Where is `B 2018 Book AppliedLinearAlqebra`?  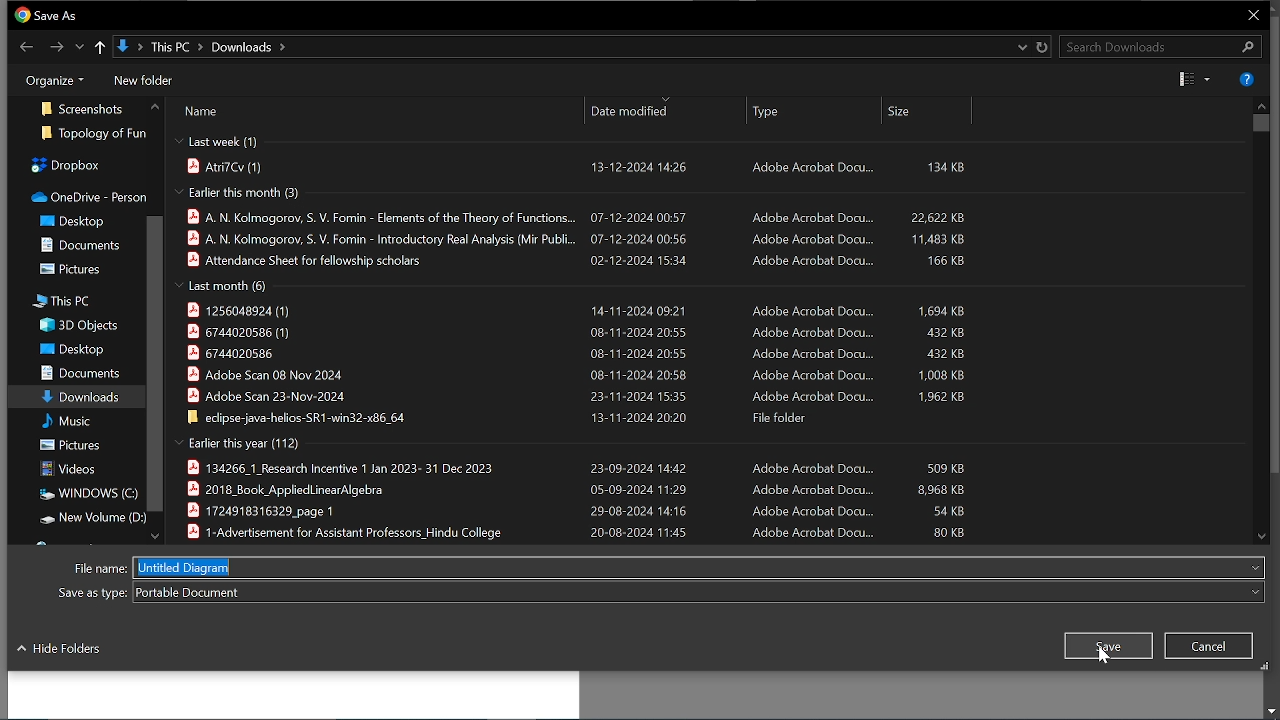 B 2018 Book AppliedLinearAlqebra is located at coordinates (286, 487).